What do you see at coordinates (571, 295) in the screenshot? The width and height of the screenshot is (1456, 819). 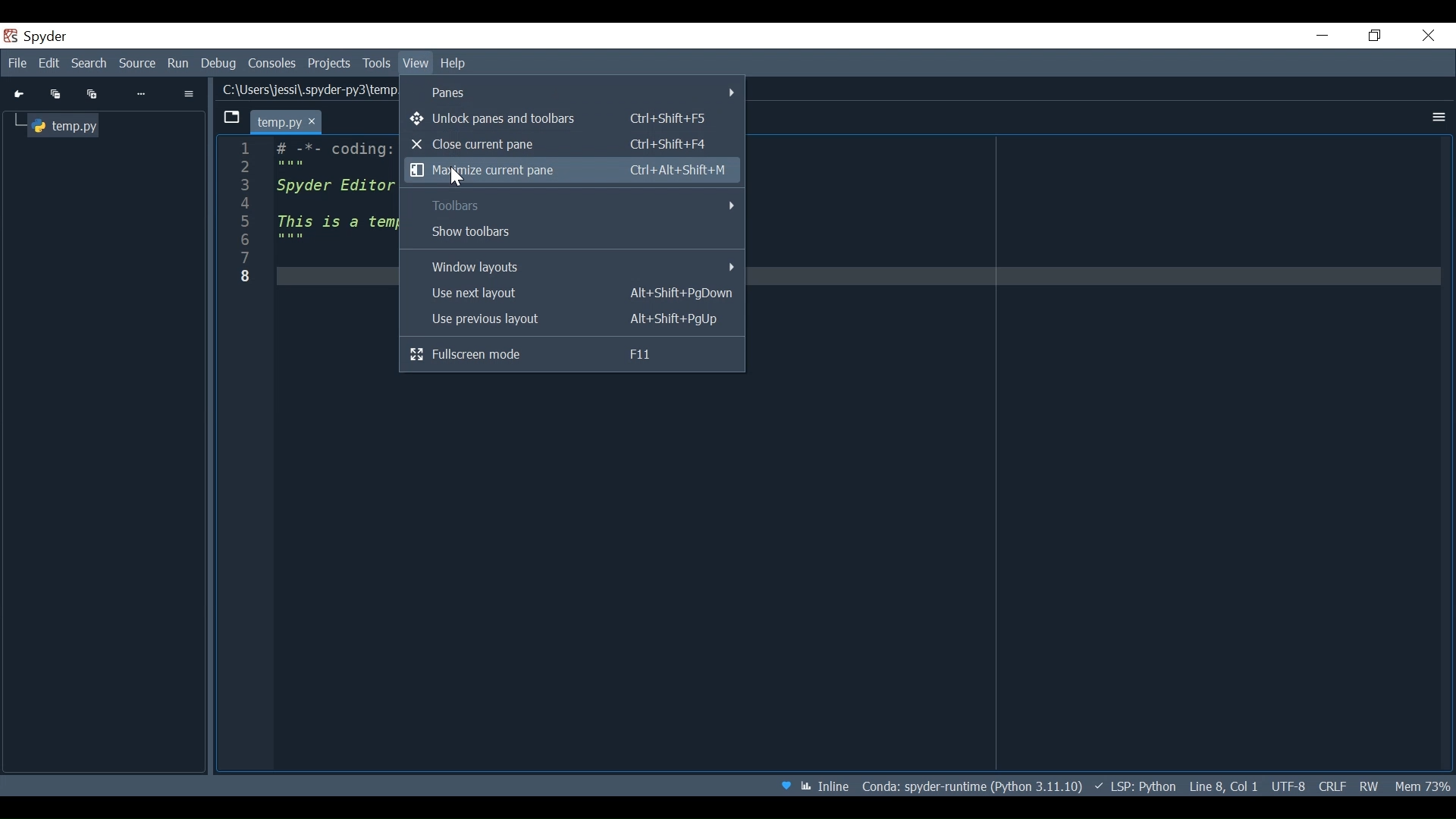 I see `Use next layout` at bounding box center [571, 295].